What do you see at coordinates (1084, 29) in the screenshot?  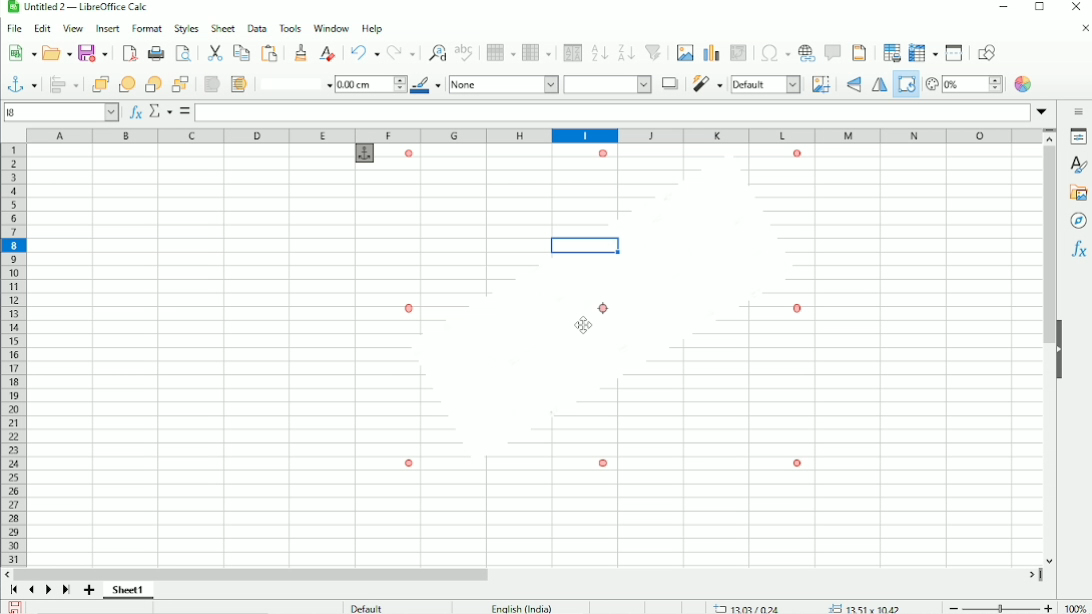 I see `Close document` at bounding box center [1084, 29].